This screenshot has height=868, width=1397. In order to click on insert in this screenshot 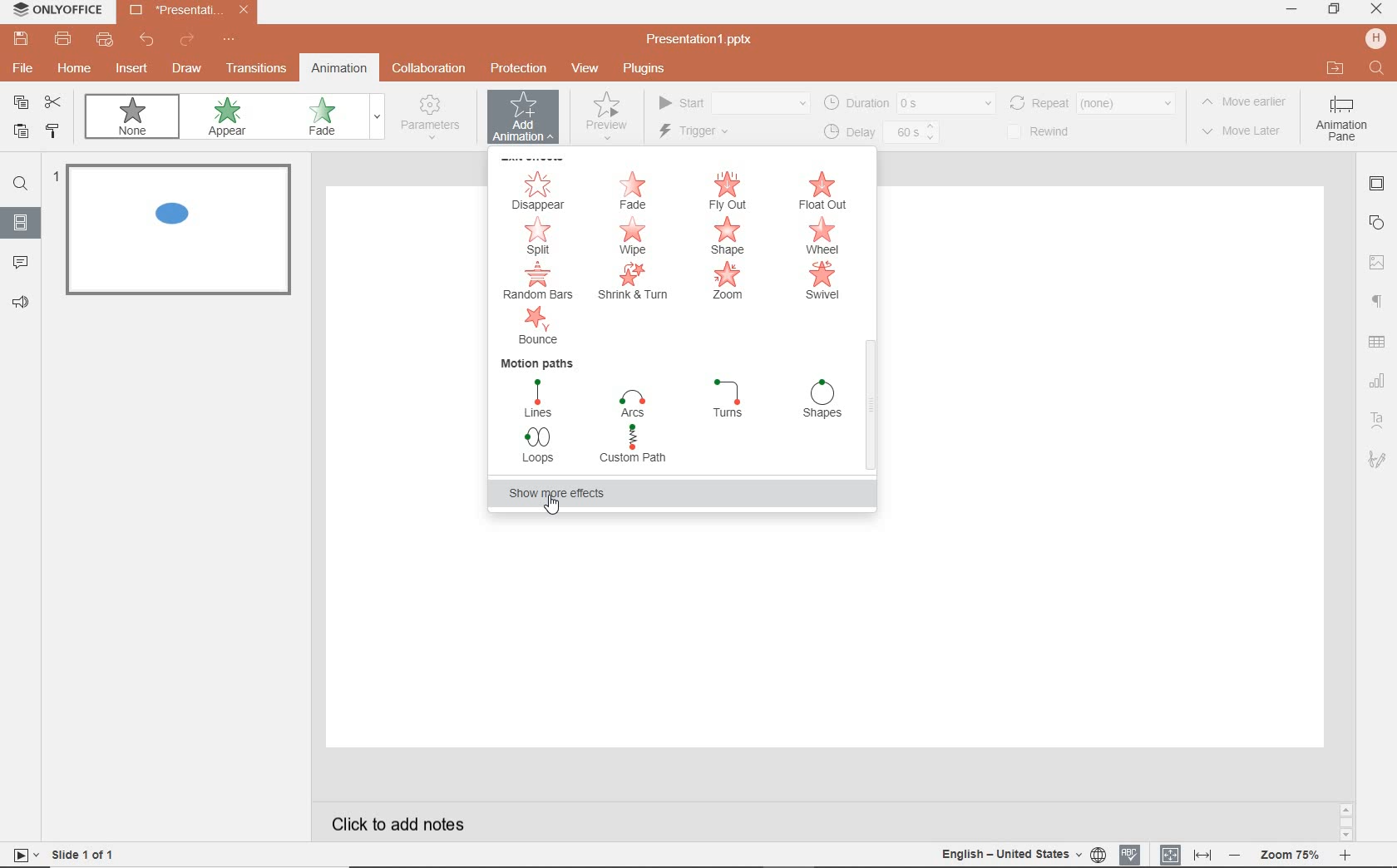, I will do `click(129, 69)`.